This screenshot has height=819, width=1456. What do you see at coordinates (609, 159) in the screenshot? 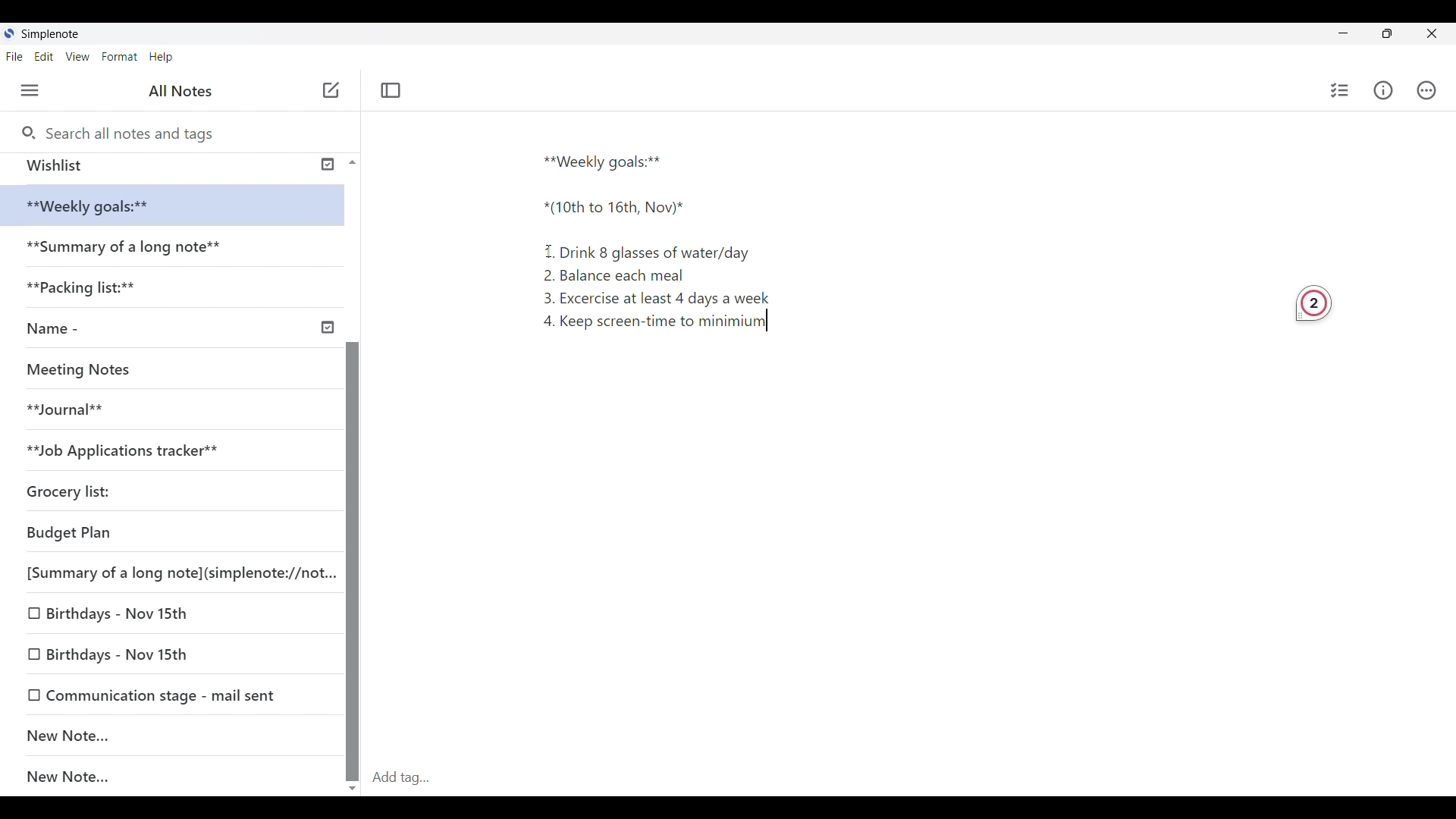
I see `**Weekly goals:**` at bounding box center [609, 159].